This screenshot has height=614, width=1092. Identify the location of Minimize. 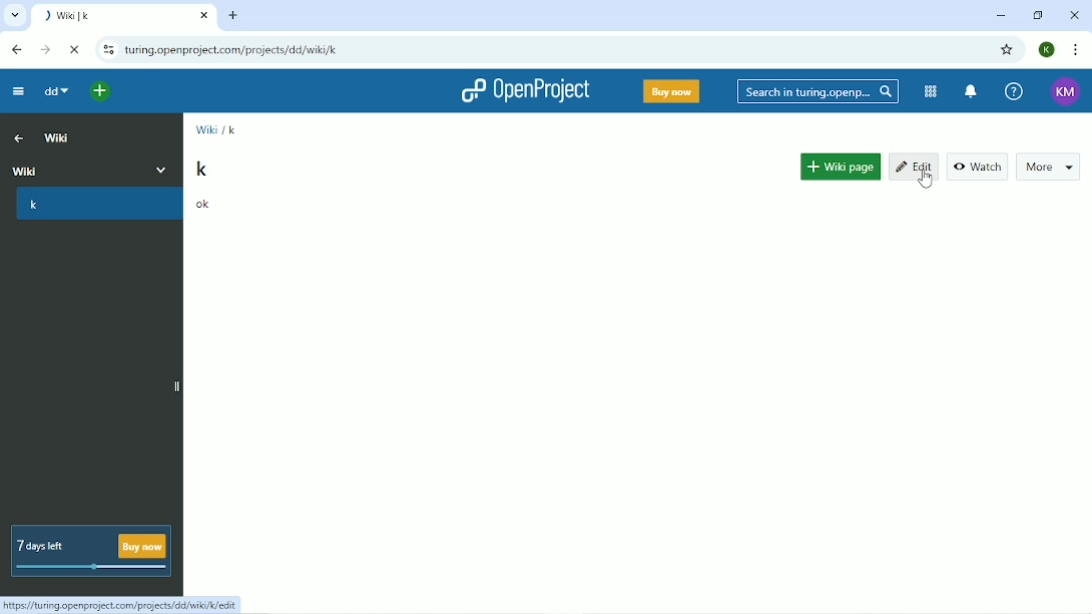
(1001, 16).